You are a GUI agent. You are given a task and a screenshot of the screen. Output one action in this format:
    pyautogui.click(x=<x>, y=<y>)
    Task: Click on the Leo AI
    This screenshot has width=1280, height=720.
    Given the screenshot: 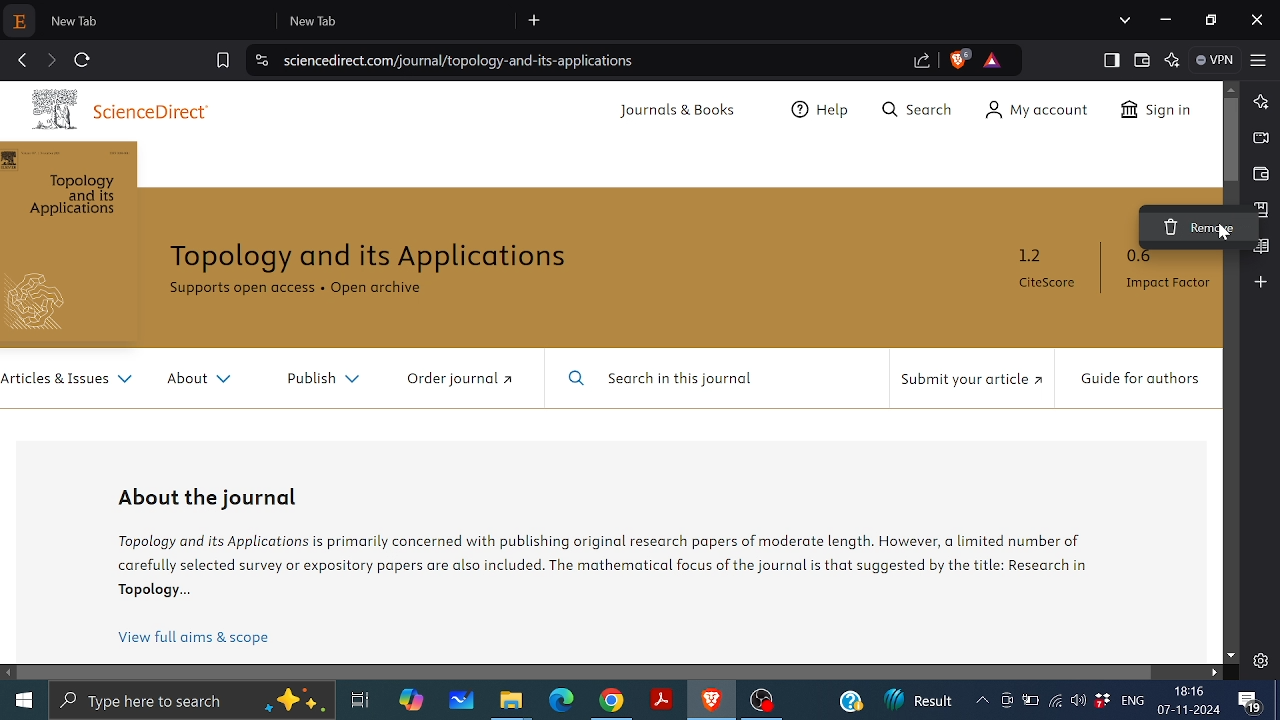 What is the action you would take?
    pyautogui.click(x=1171, y=59)
    